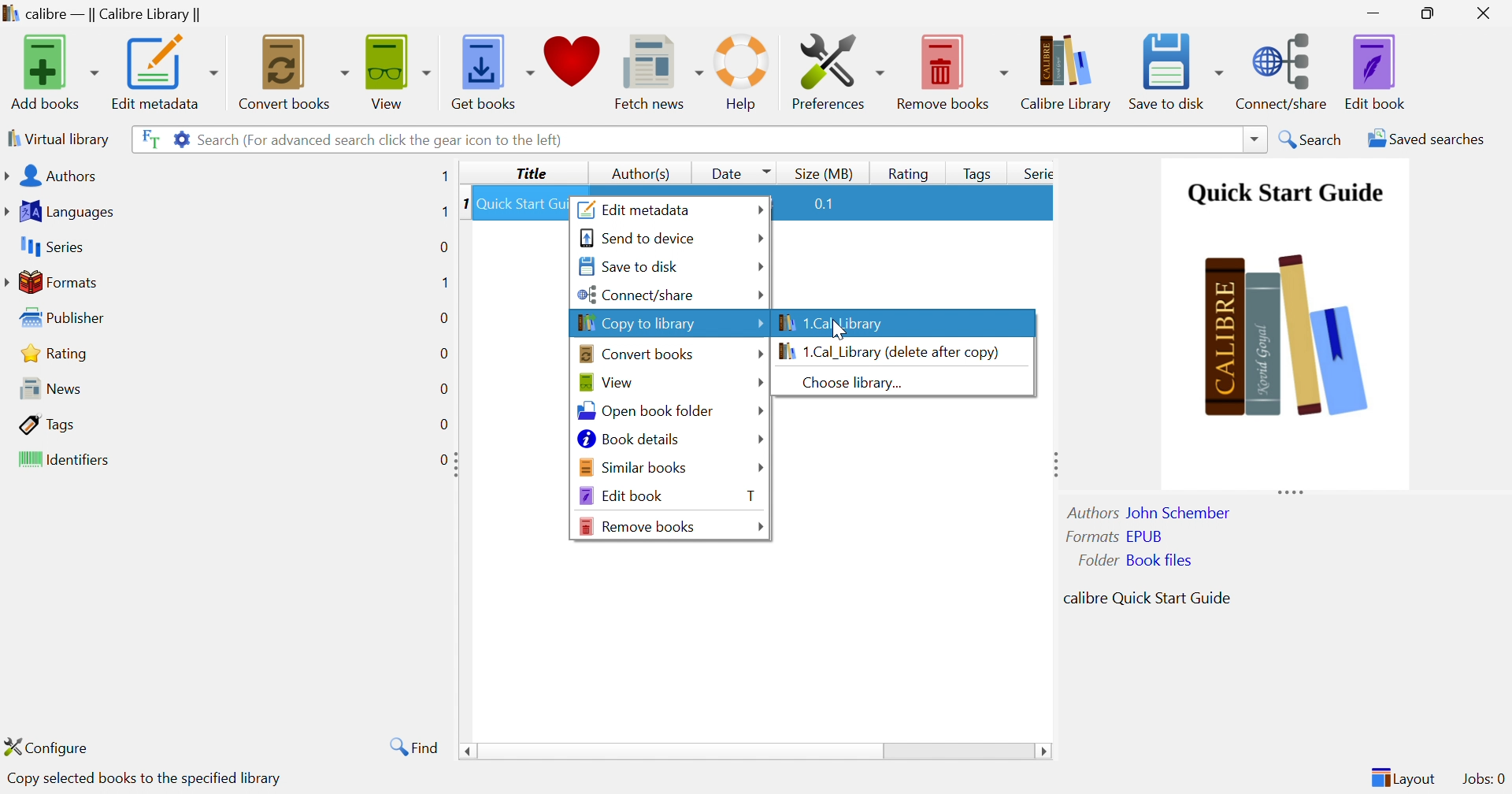  I want to click on News, so click(45, 387).